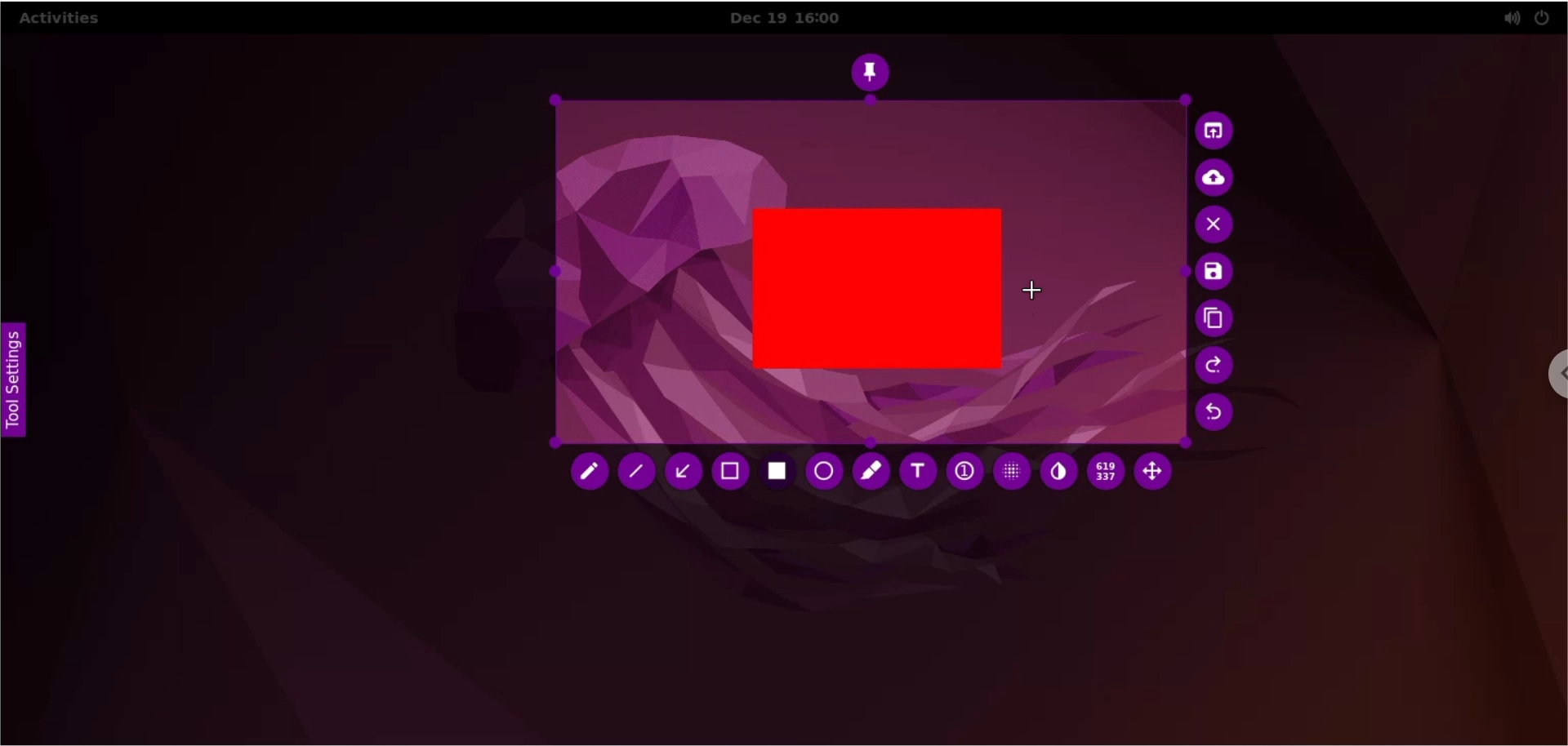 This screenshot has height=746, width=1568. Describe the element at coordinates (640, 473) in the screenshot. I see `line tool` at that location.